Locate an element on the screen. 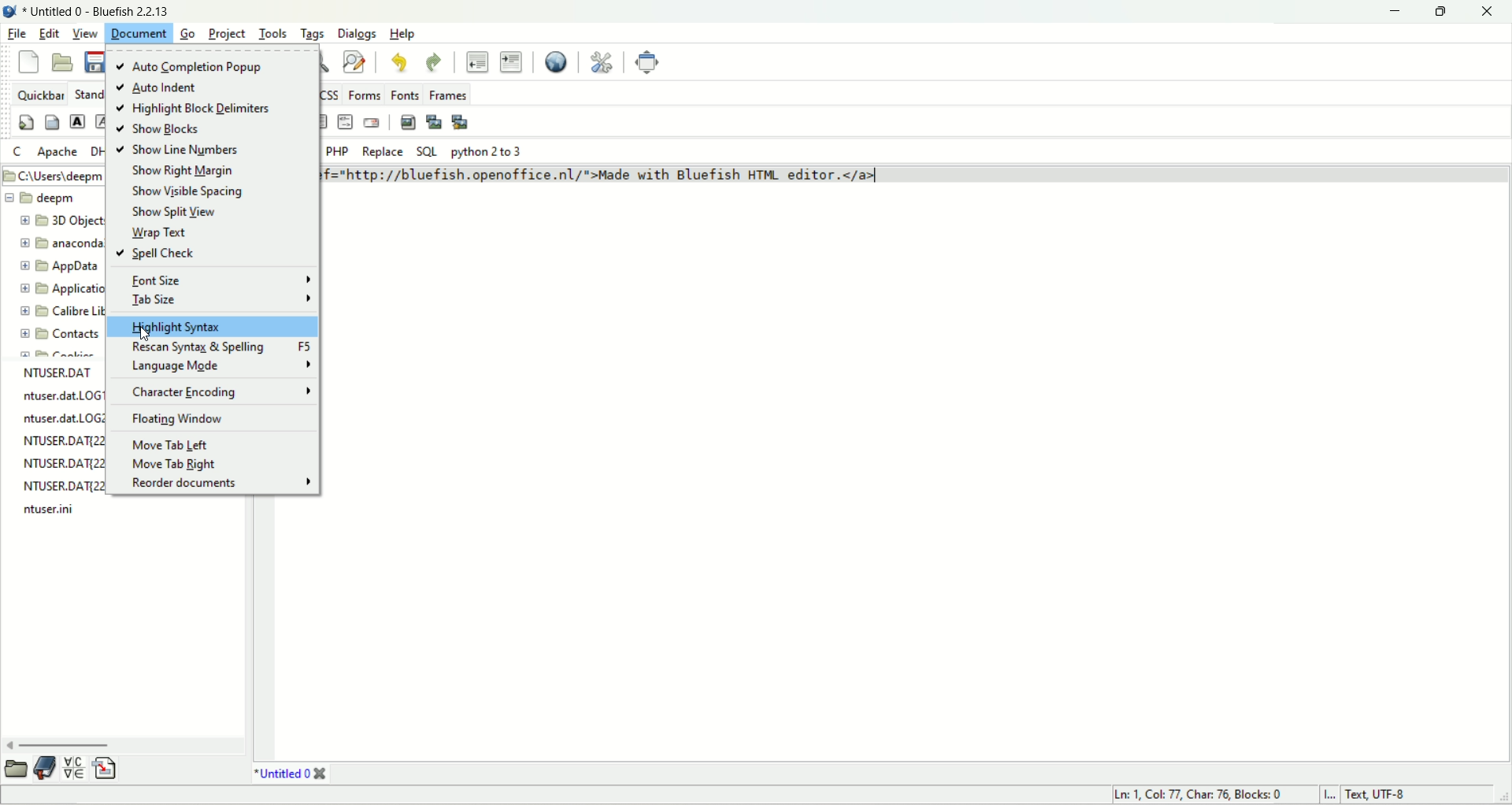 The width and height of the screenshot is (1512, 805). language mode is located at coordinates (221, 366).